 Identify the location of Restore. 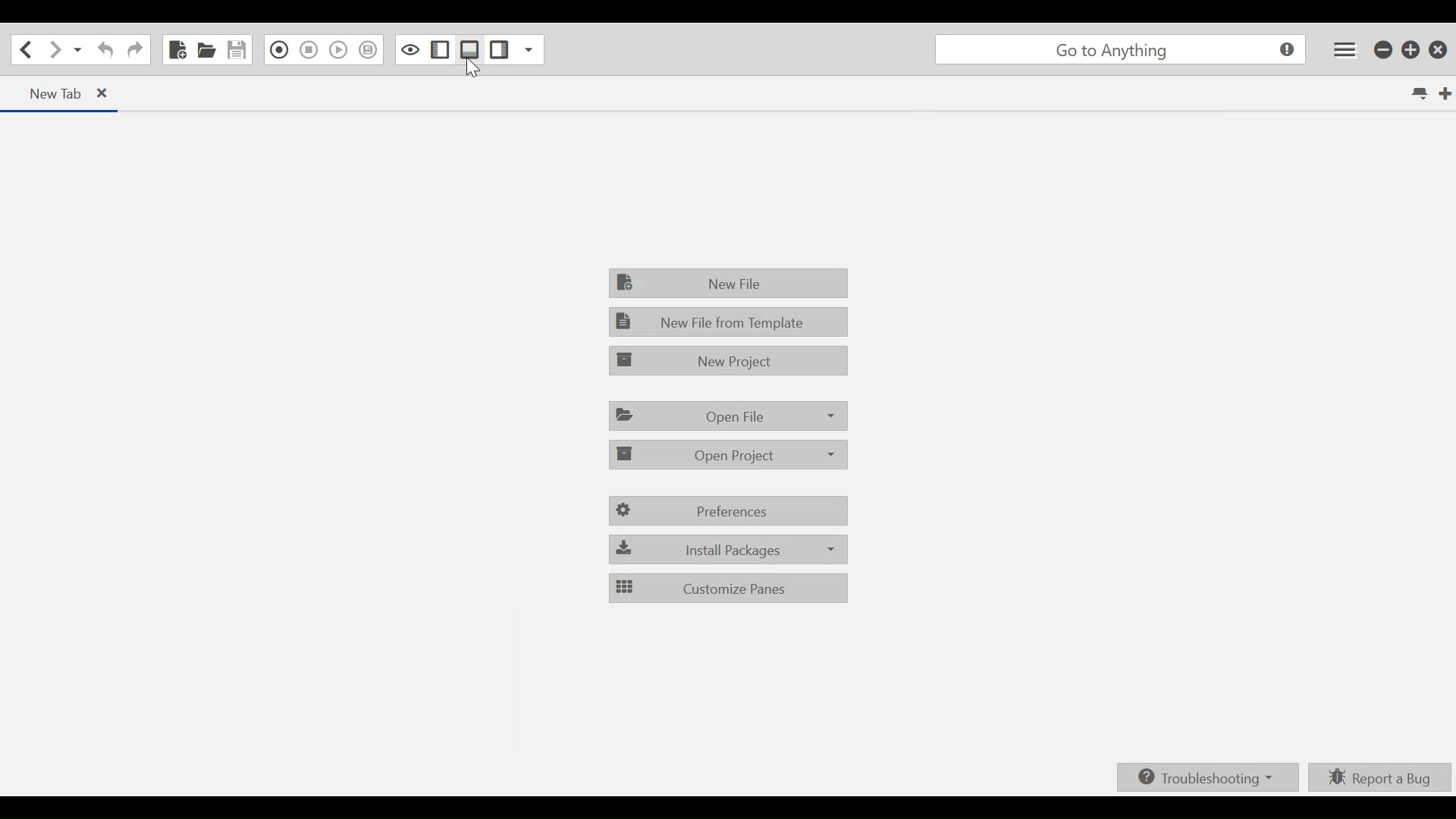
(1412, 50).